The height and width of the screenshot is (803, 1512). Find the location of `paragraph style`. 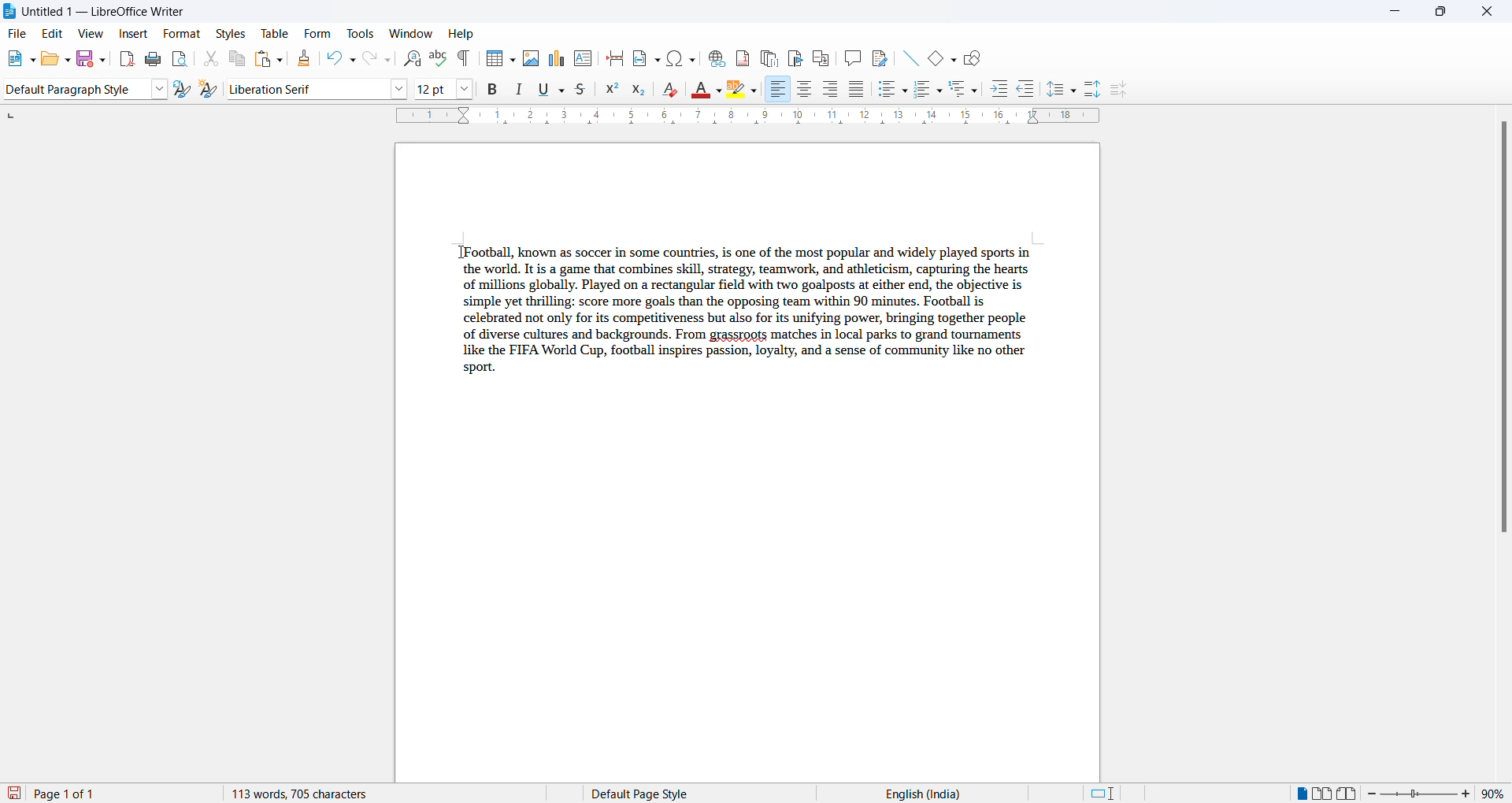

paragraph style is located at coordinates (75, 88).